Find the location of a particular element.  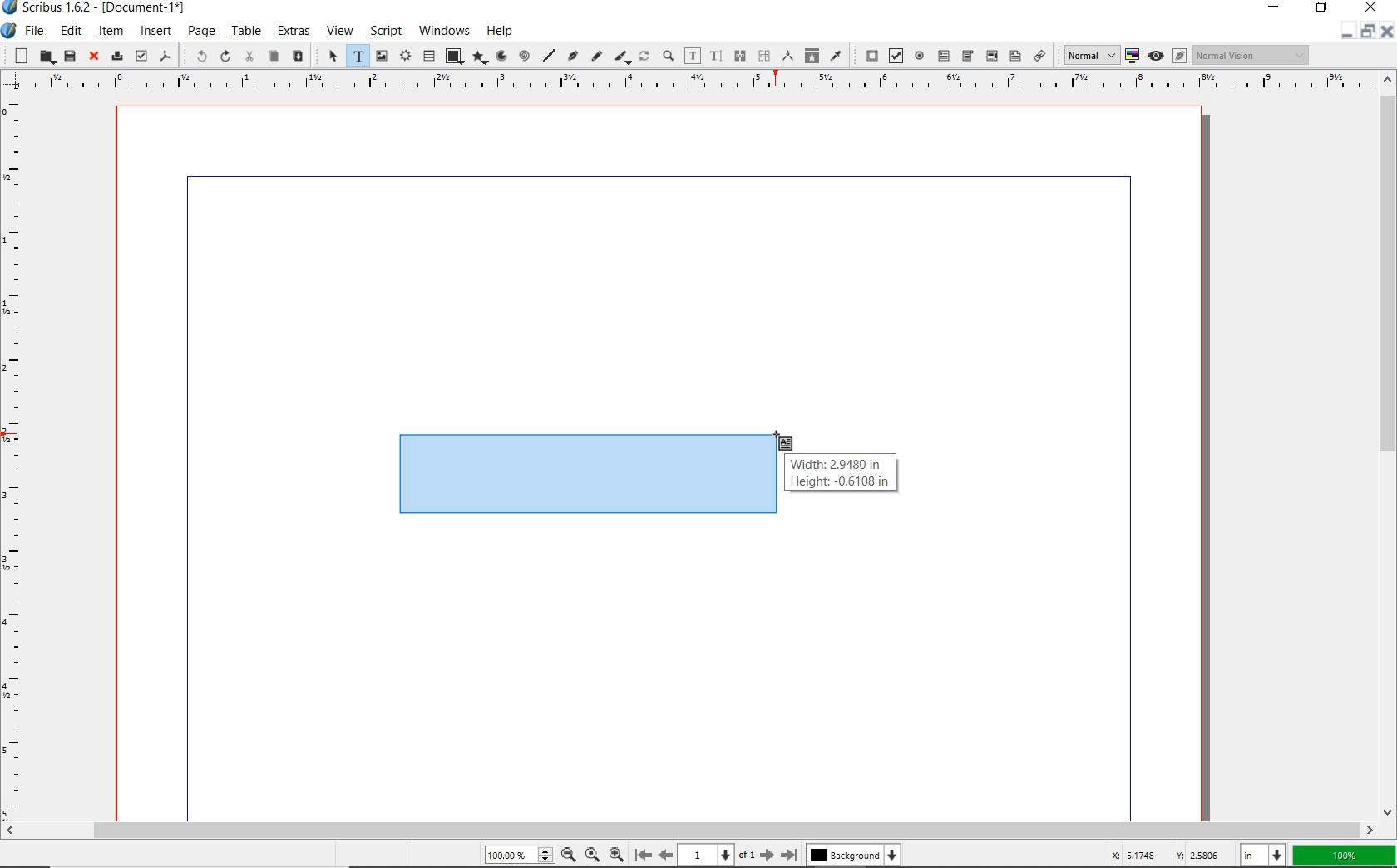

100% is located at coordinates (516, 856).